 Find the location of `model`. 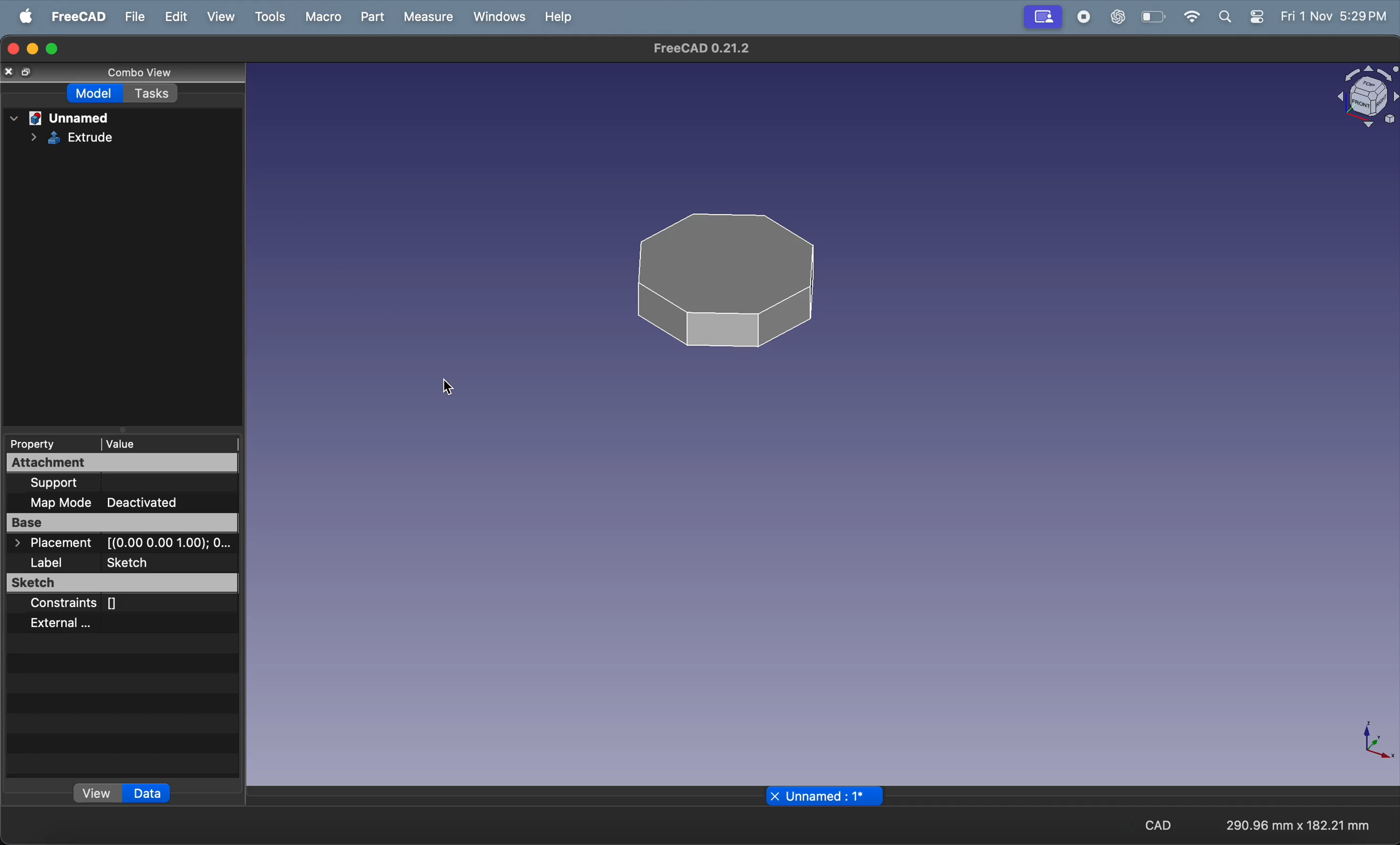

model is located at coordinates (90, 93).